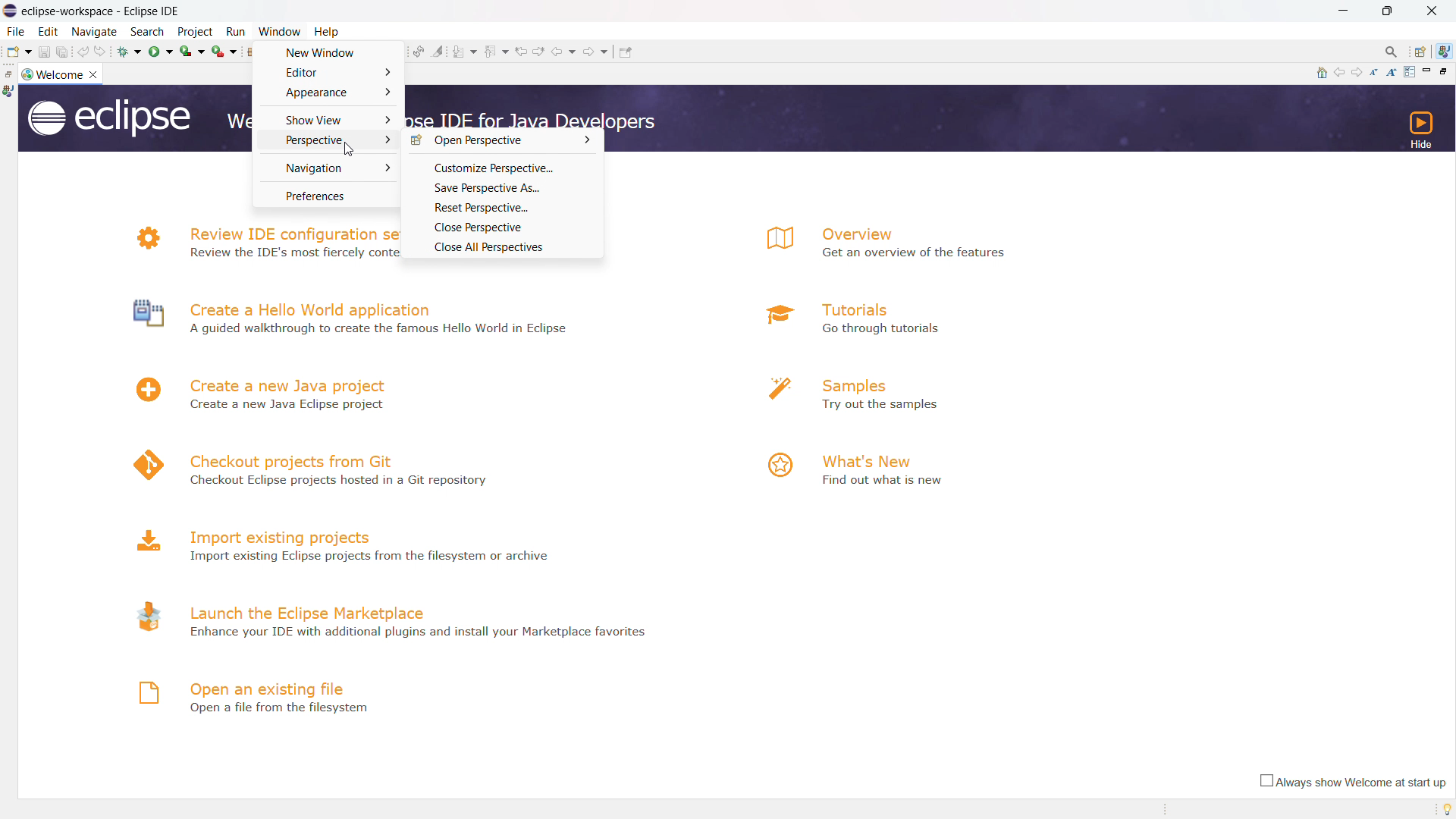 This screenshot has height=819, width=1456. What do you see at coordinates (854, 309) in the screenshot?
I see `tutorials` at bounding box center [854, 309].